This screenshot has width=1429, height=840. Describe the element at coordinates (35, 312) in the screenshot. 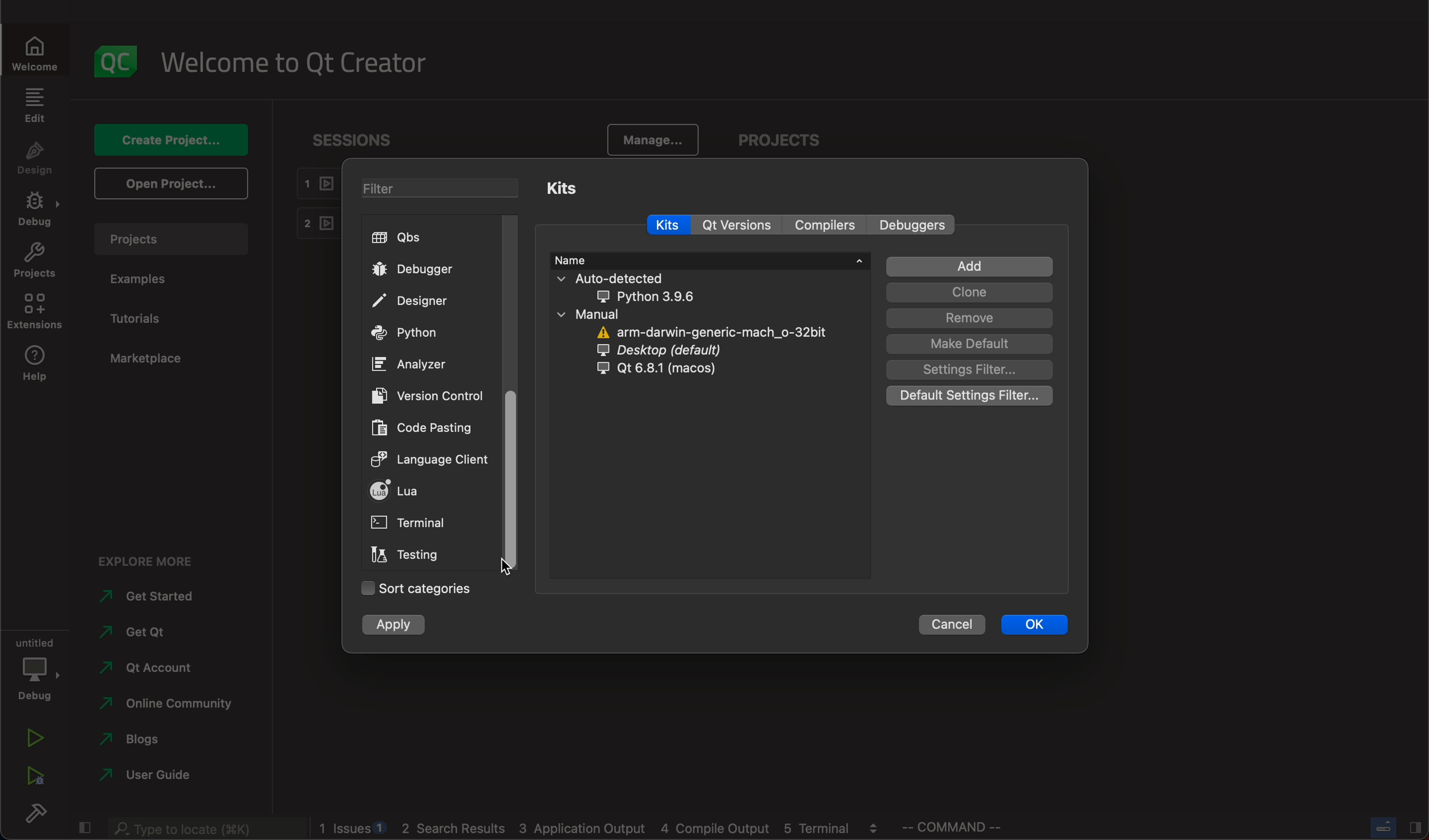

I see `extensions` at that location.